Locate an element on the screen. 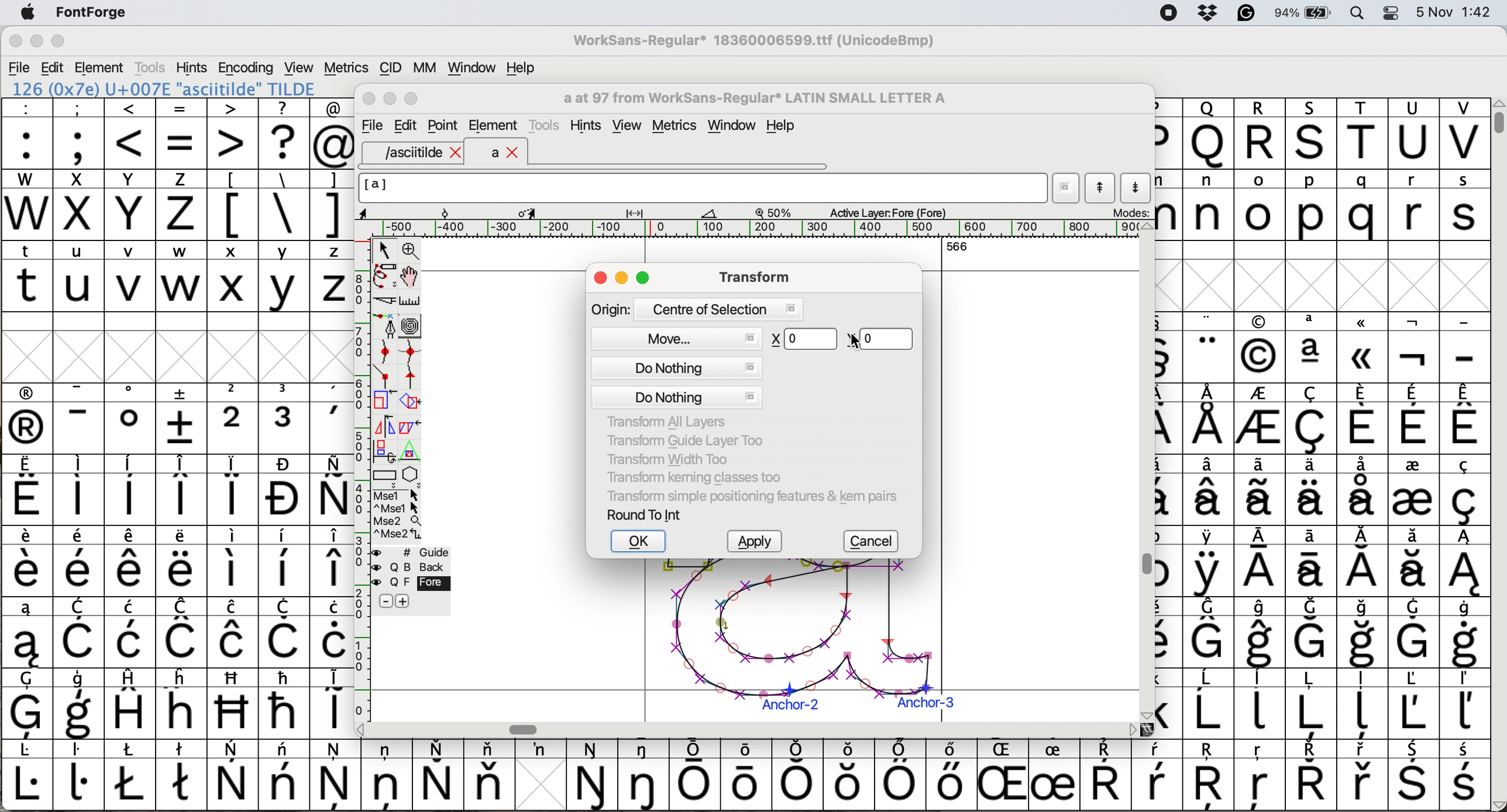 Image resolution: width=1507 pixels, height=812 pixels. symbol is located at coordinates (800, 774).